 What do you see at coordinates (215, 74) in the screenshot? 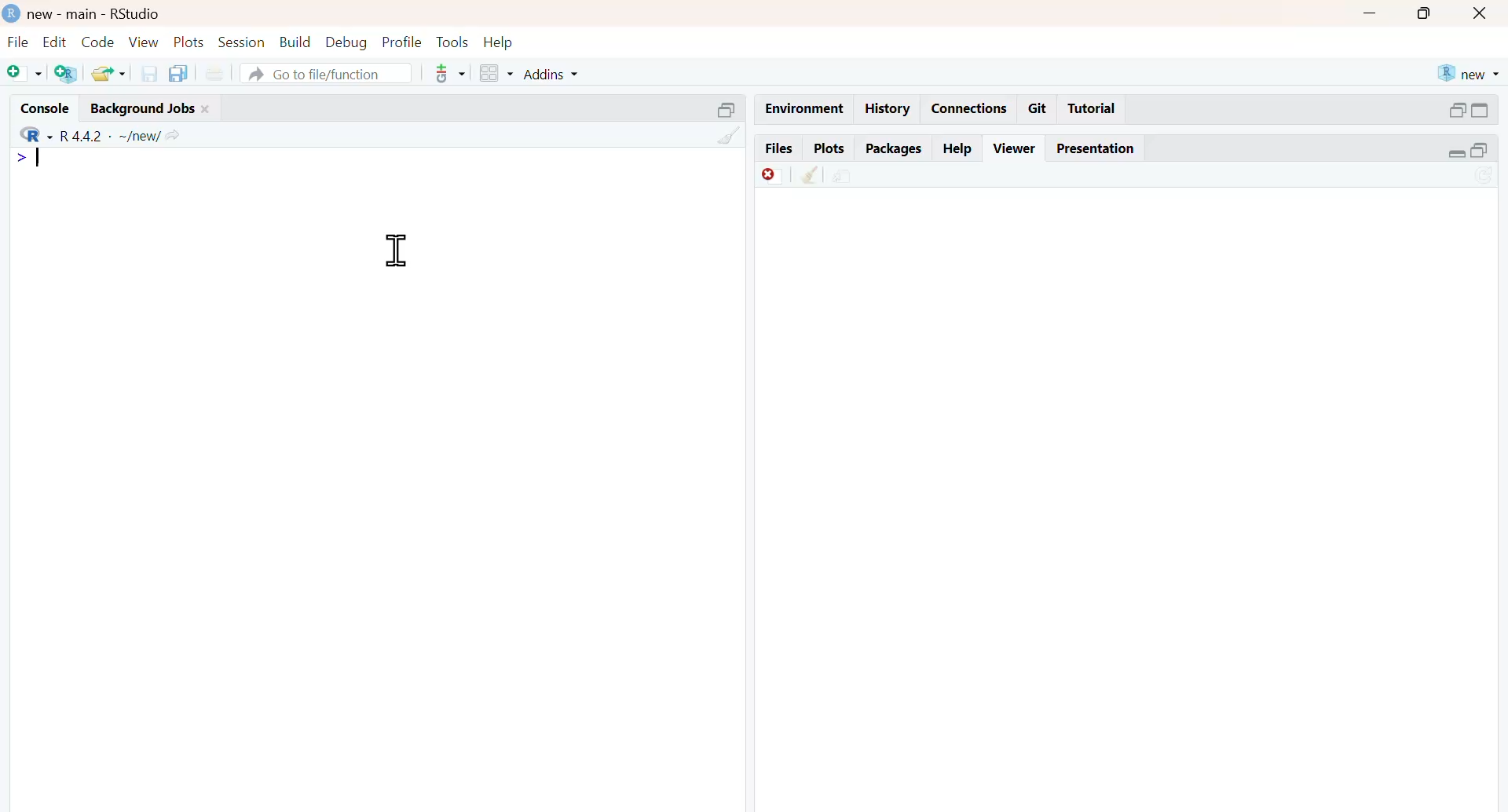
I see `print` at bounding box center [215, 74].